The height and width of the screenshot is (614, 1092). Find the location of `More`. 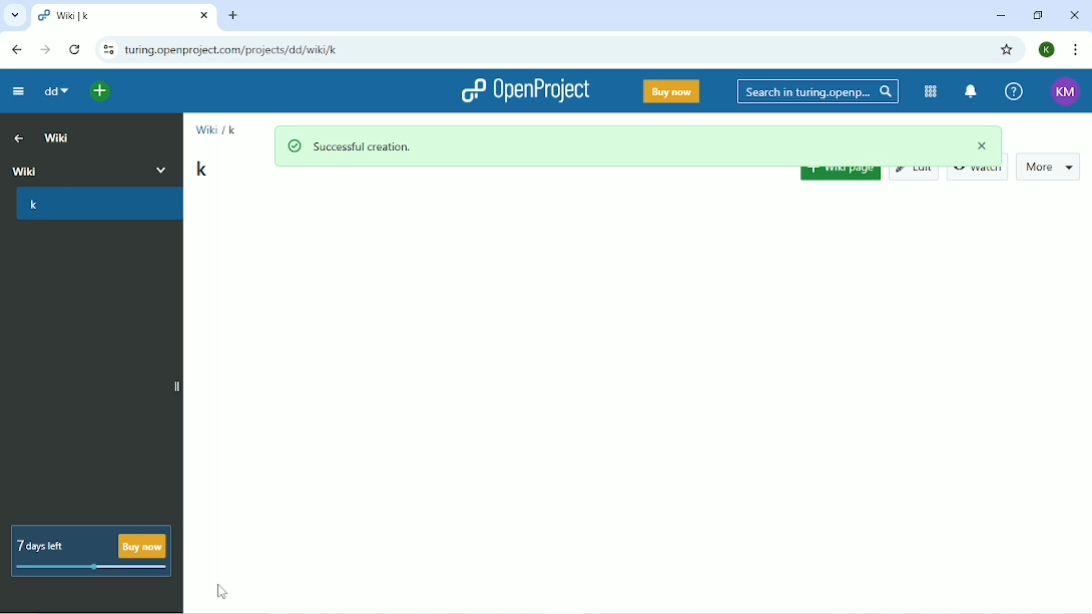

More is located at coordinates (1052, 165).